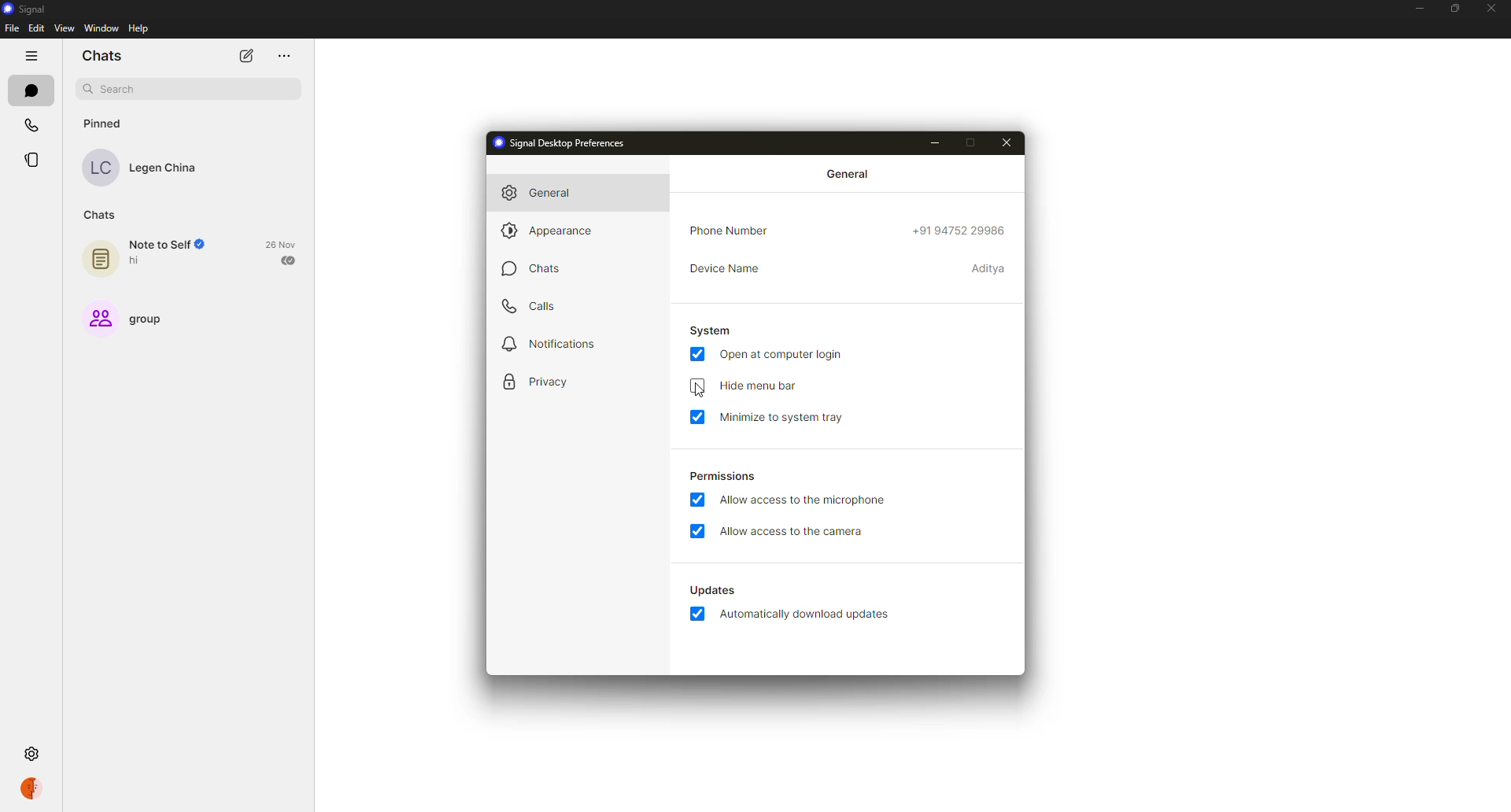 The image size is (1511, 812). I want to click on open at computer login, so click(782, 354).